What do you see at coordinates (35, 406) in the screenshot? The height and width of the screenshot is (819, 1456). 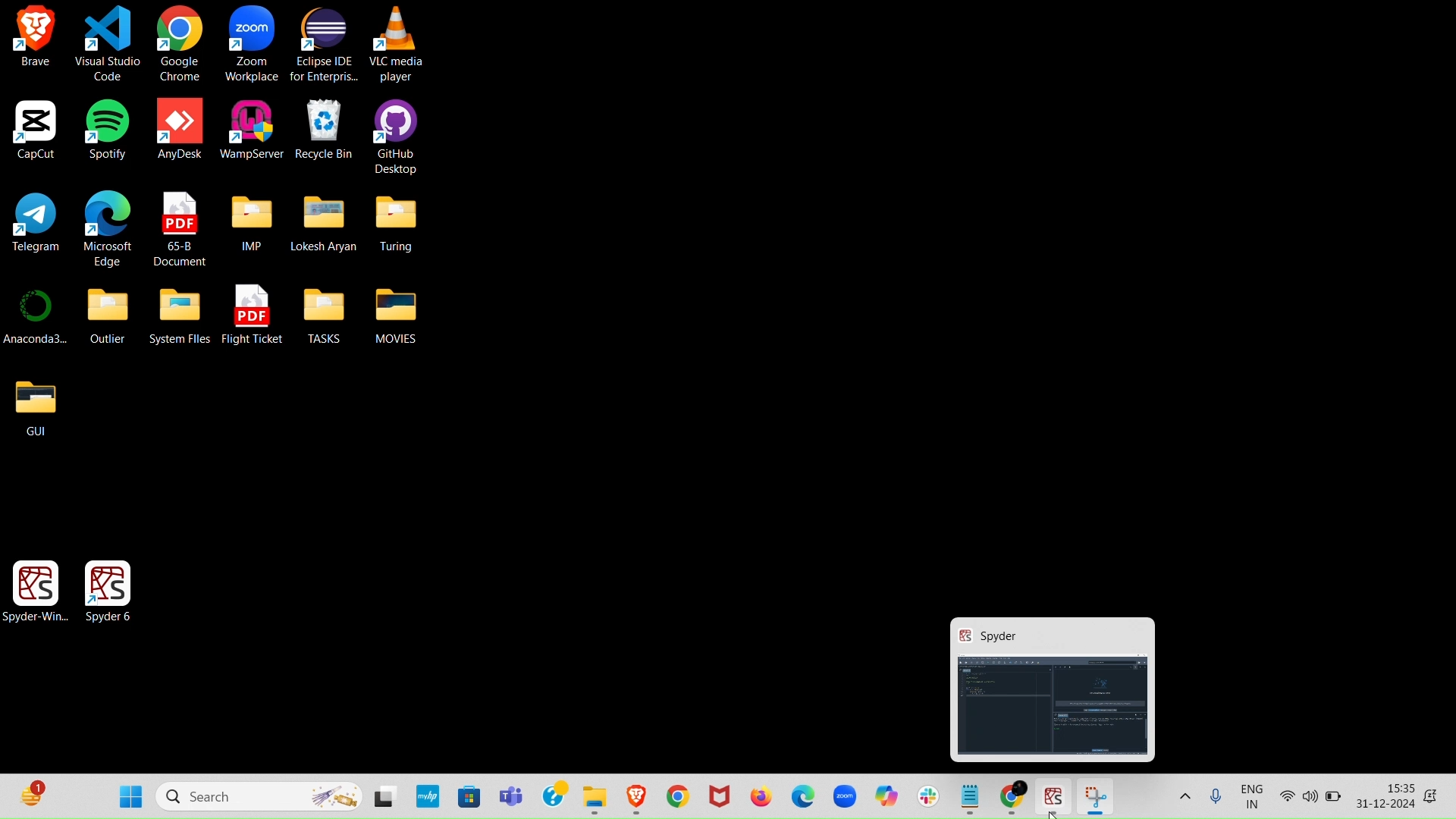 I see `GUI` at bounding box center [35, 406].